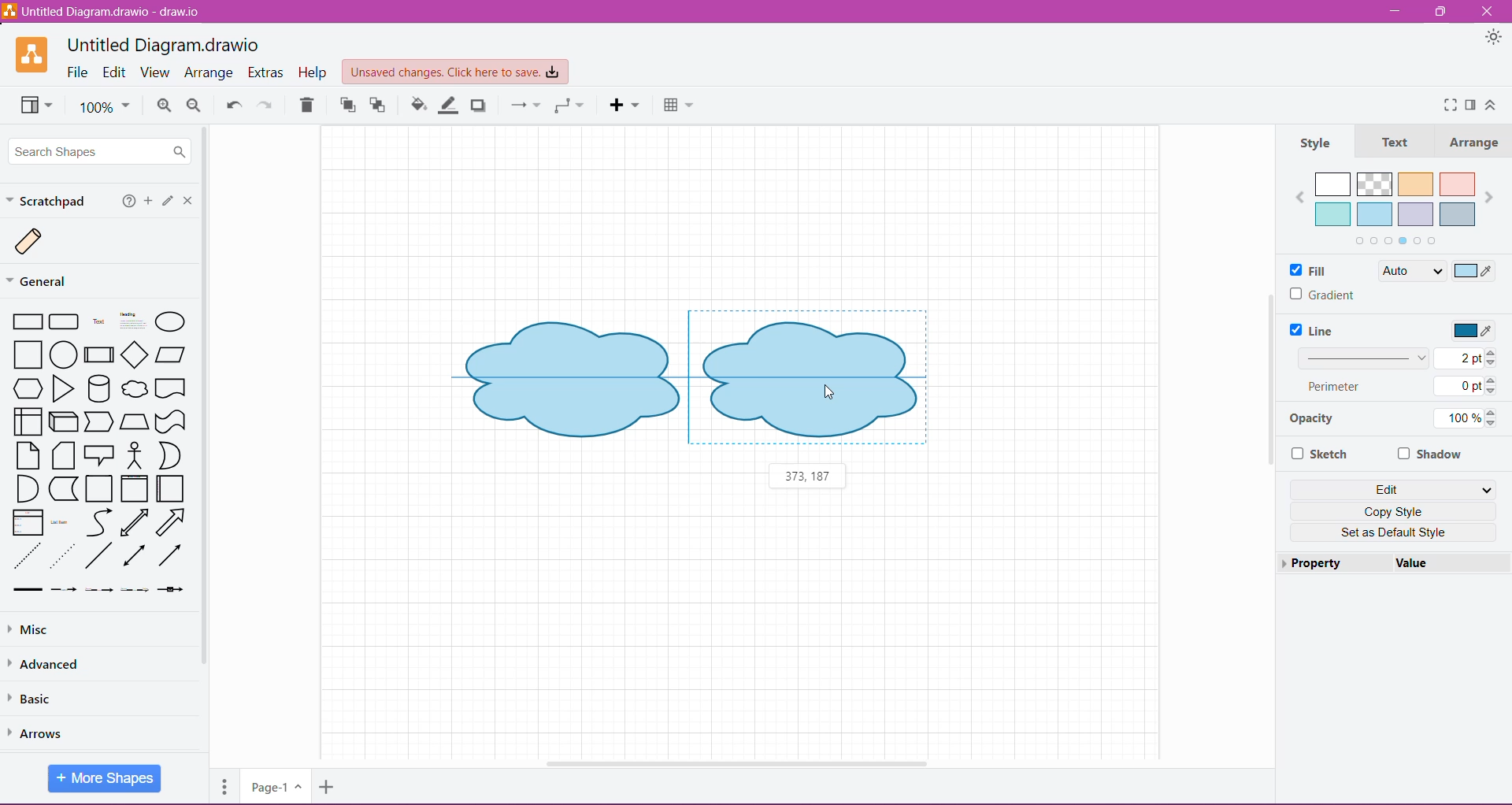  I want to click on Perimeter 0 pt, so click(1401, 386).